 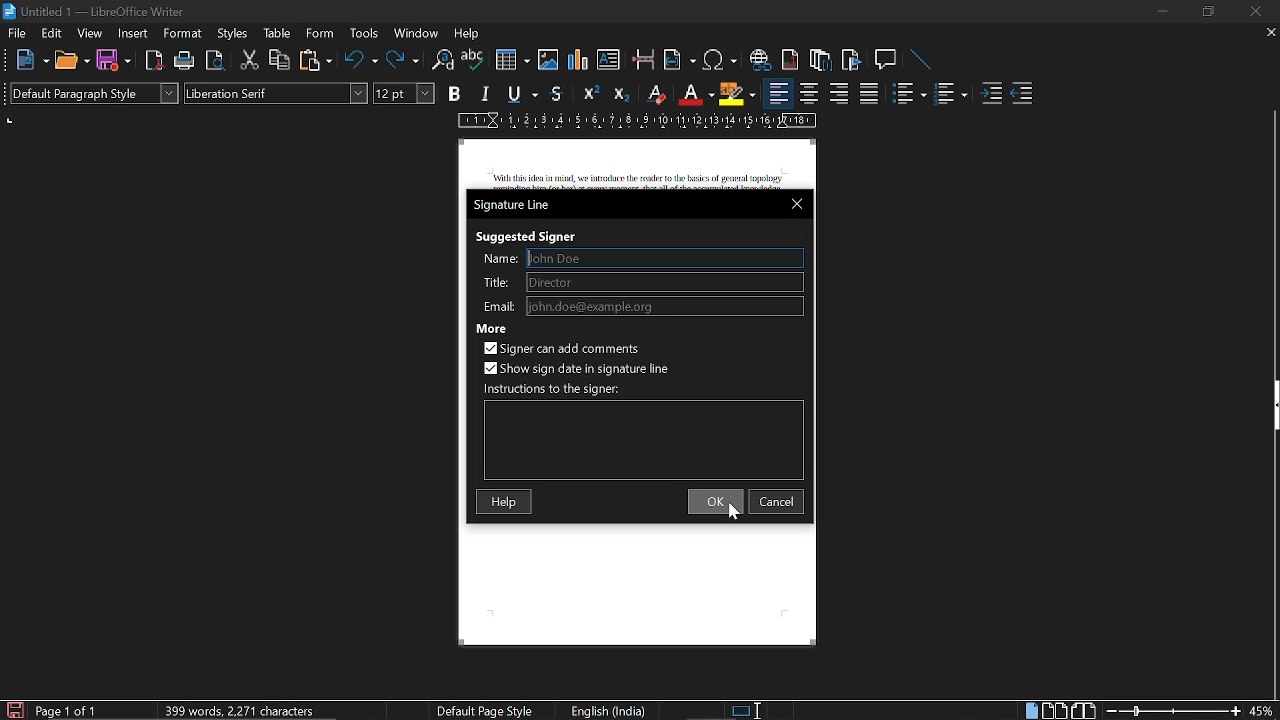 I want to click on instructions to the signer, so click(x=554, y=390).